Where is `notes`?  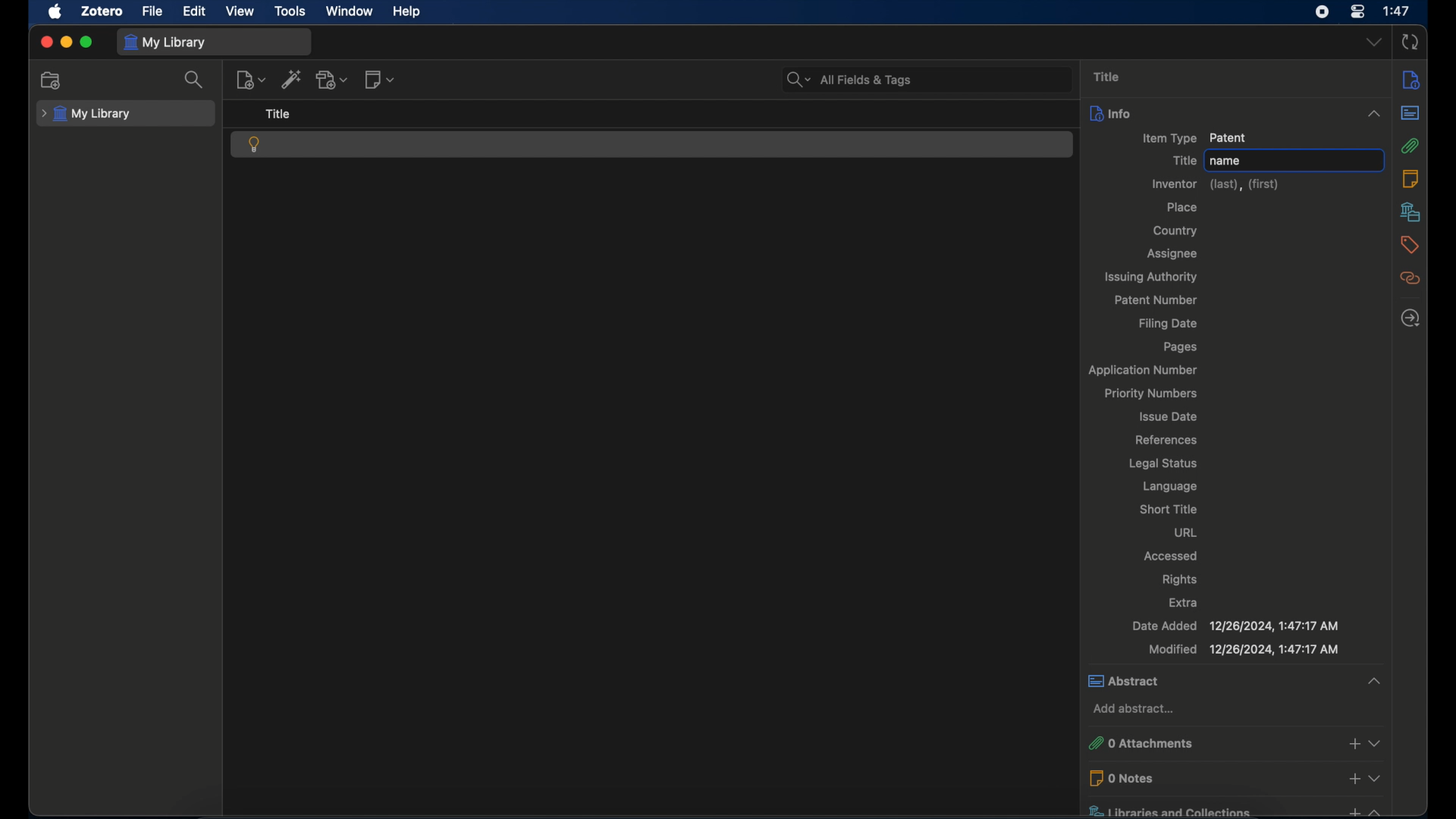 notes is located at coordinates (1411, 179).